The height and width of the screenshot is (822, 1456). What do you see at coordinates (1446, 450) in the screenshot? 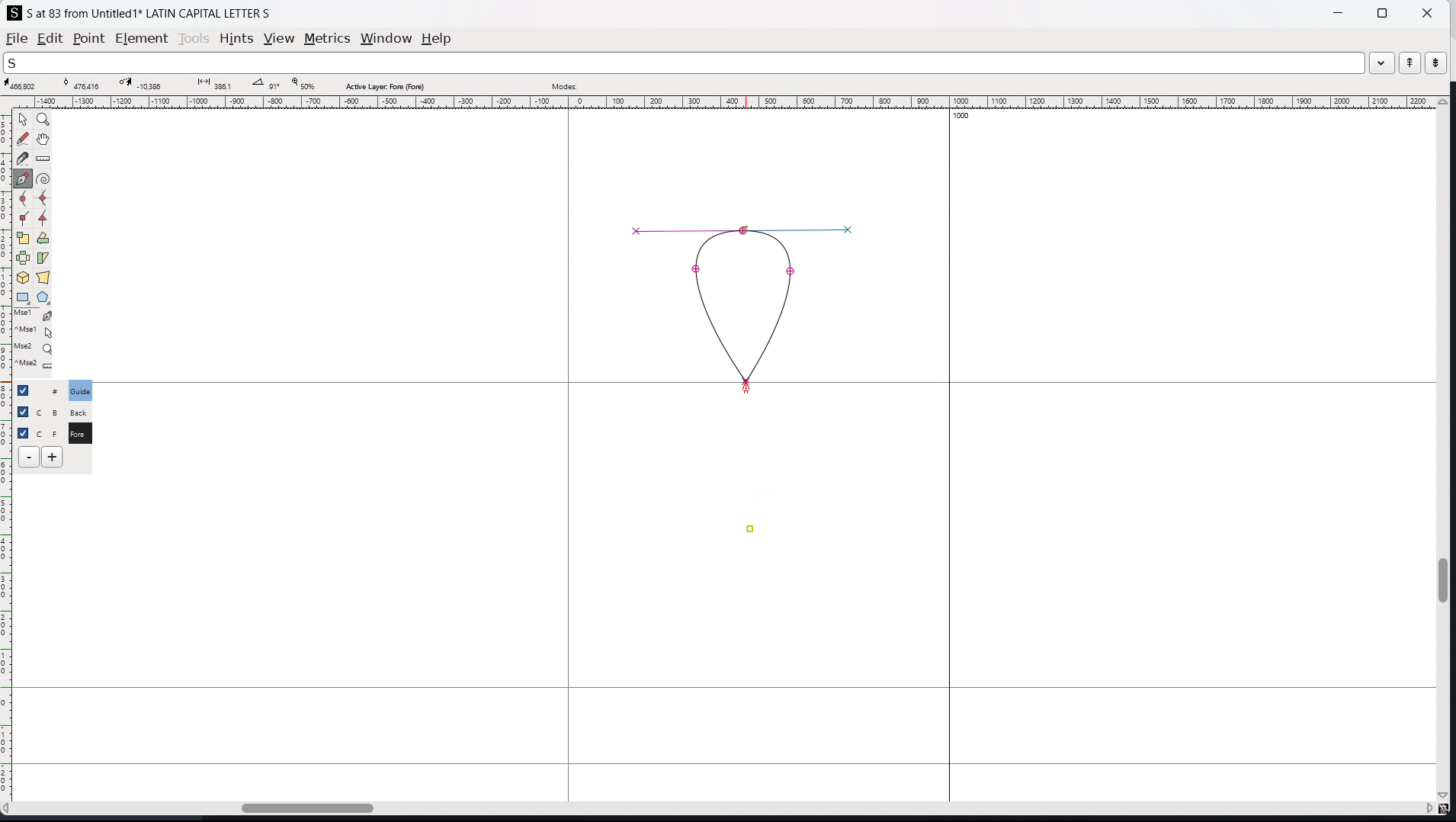
I see `vertical scrollbar` at bounding box center [1446, 450].